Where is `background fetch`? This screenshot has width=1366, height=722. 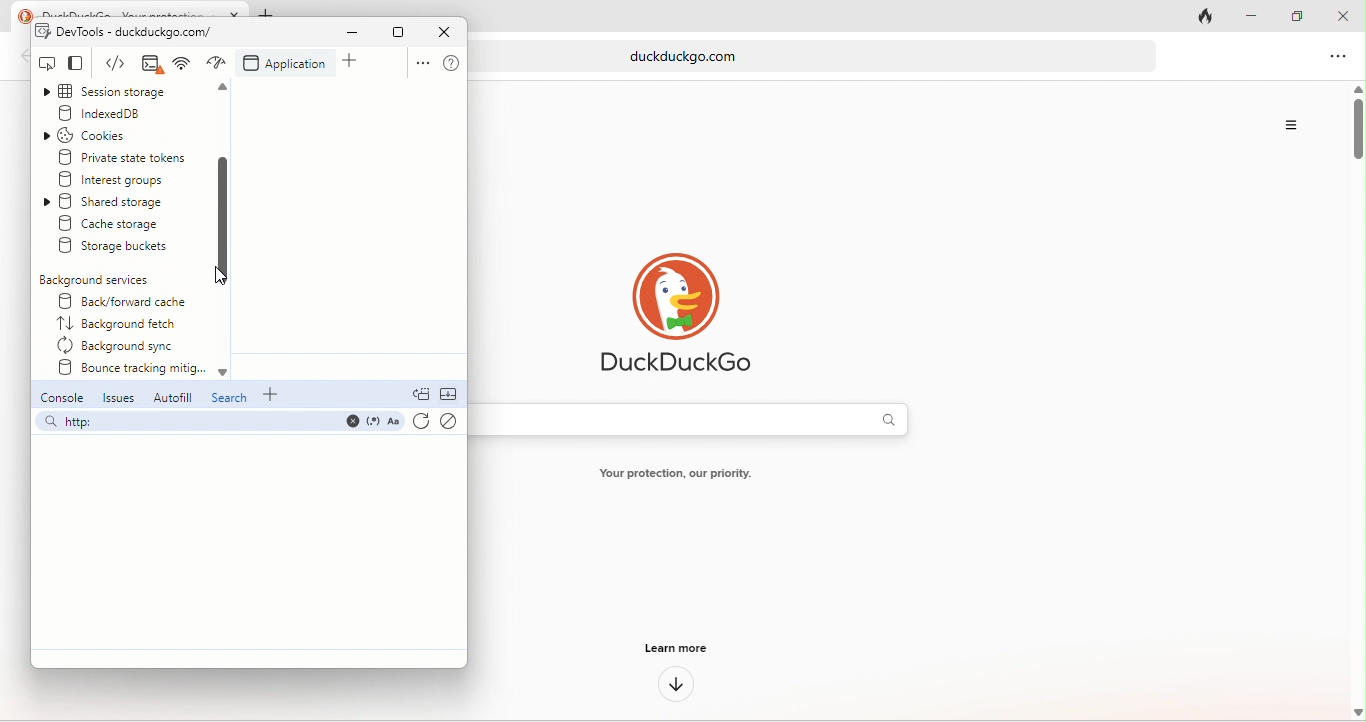 background fetch is located at coordinates (121, 322).